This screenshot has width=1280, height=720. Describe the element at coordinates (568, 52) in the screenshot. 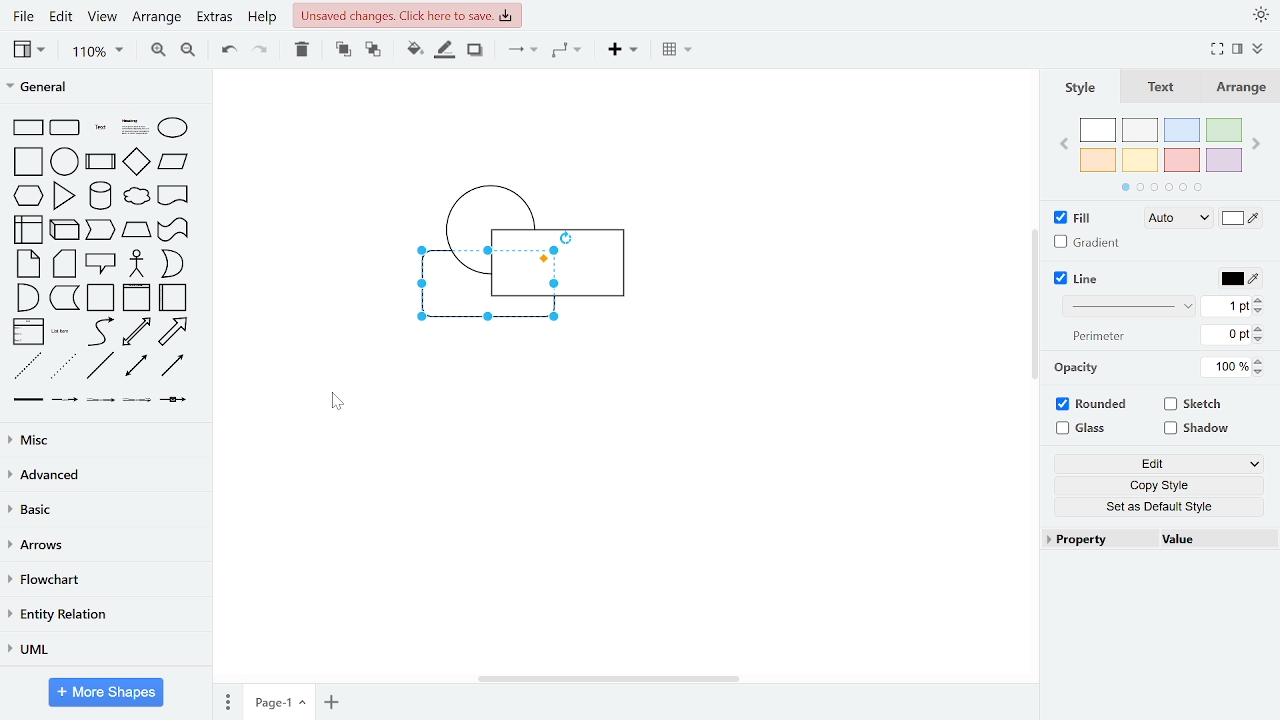

I see `waypoints` at that location.